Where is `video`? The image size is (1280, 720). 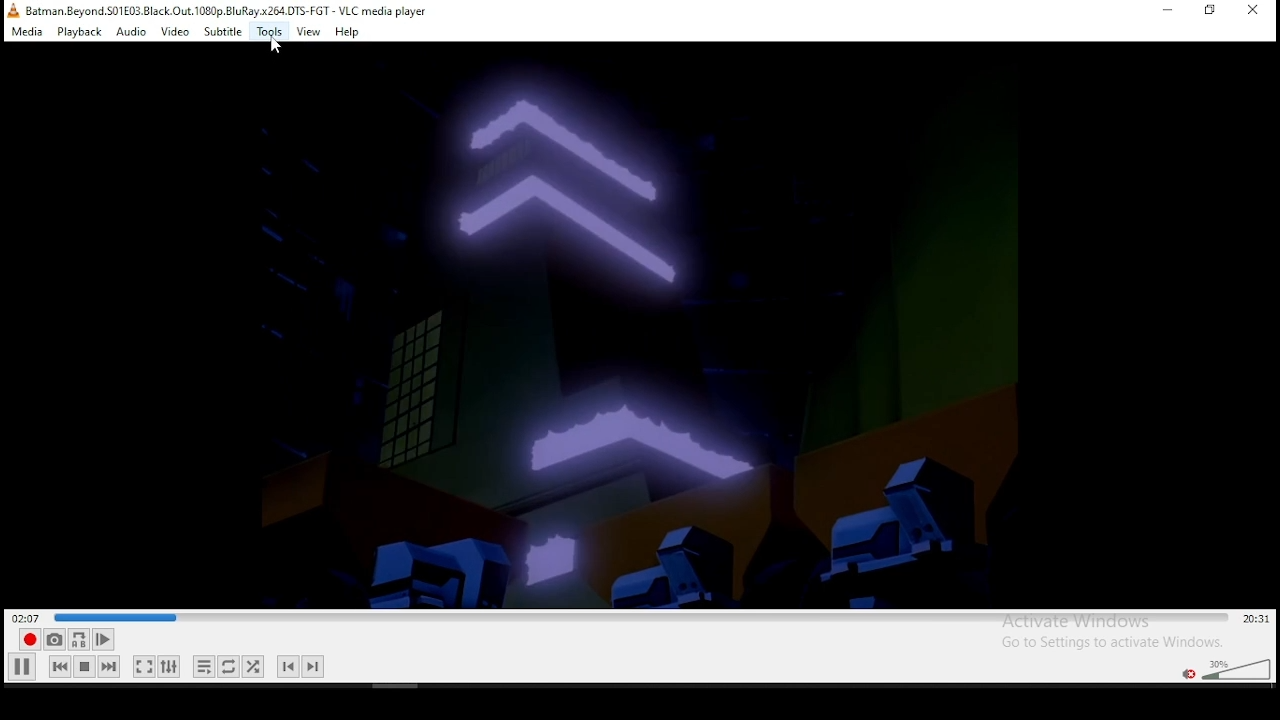 video is located at coordinates (641, 325).